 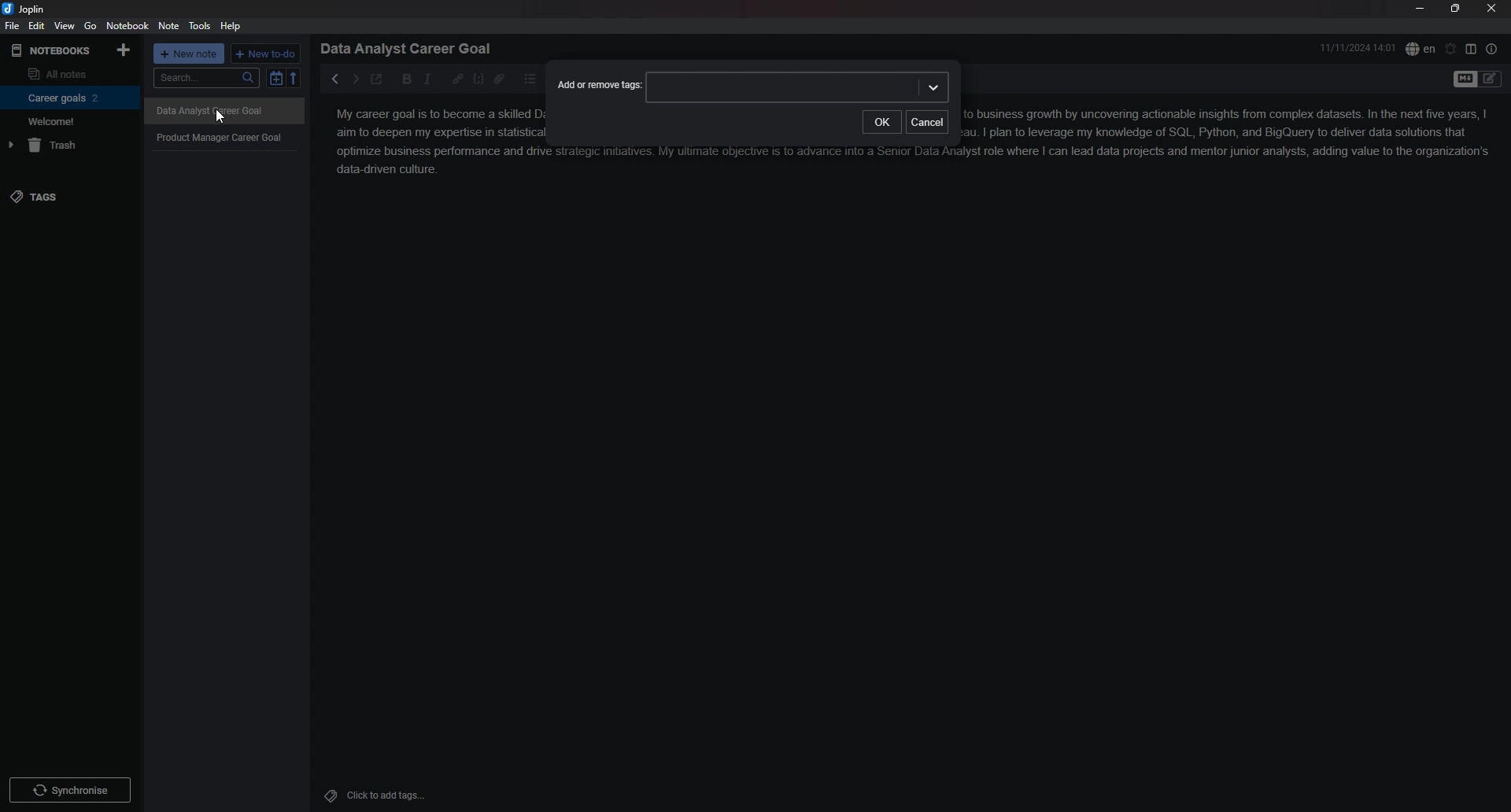 I want to click on previous, so click(x=334, y=79).